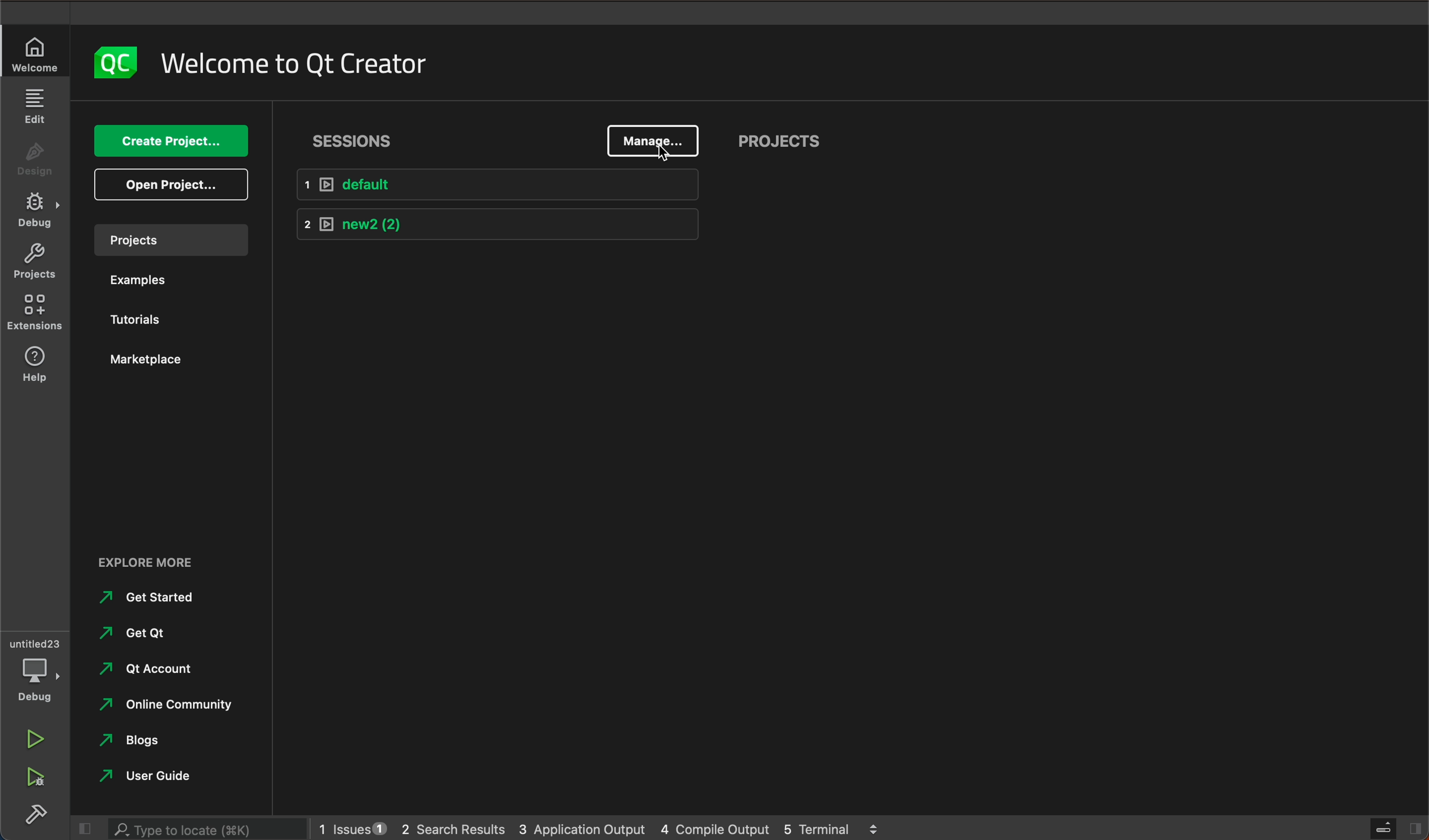  I want to click on search, so click(203, 829).